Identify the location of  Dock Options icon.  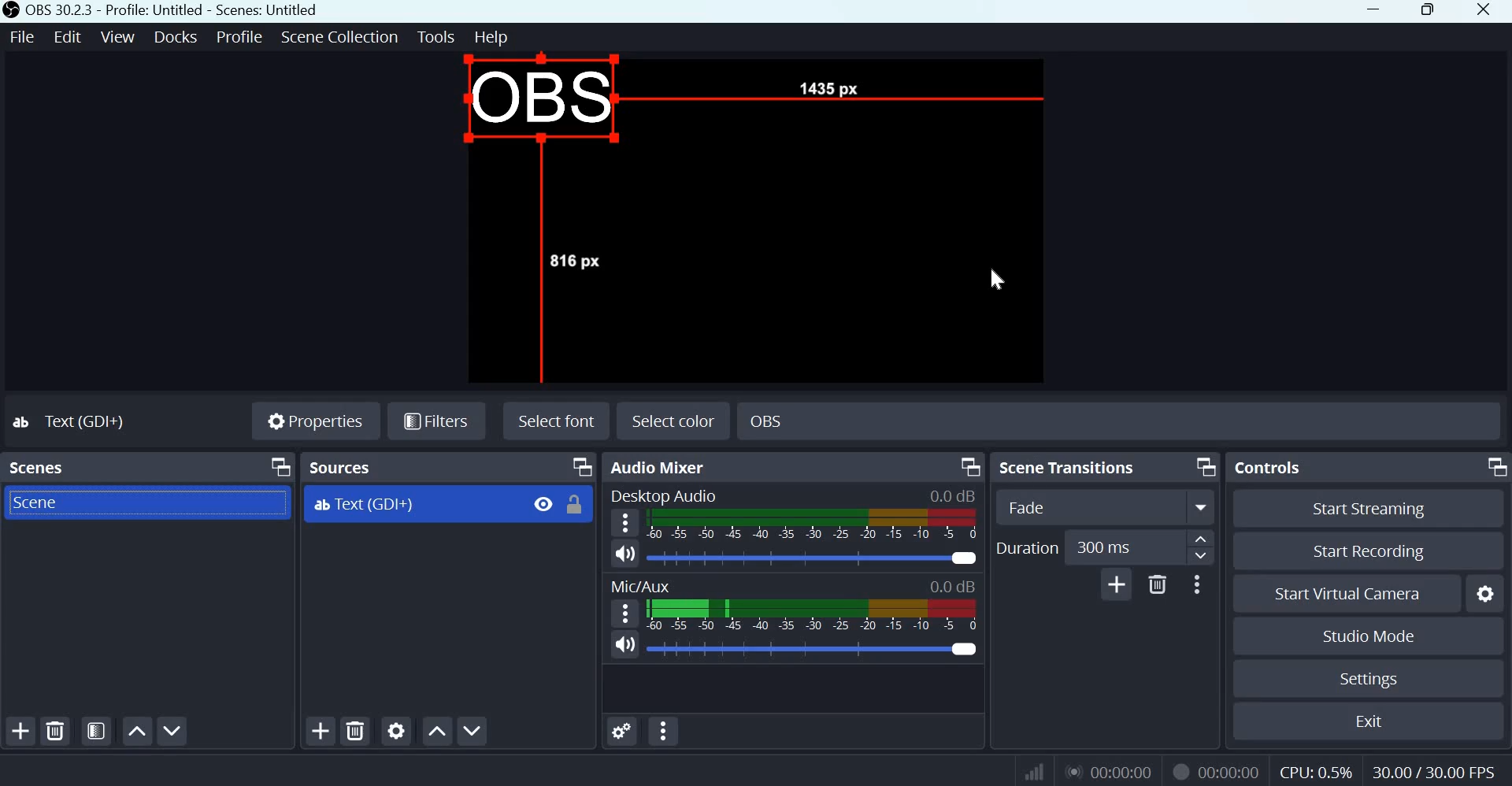
(968, 465).